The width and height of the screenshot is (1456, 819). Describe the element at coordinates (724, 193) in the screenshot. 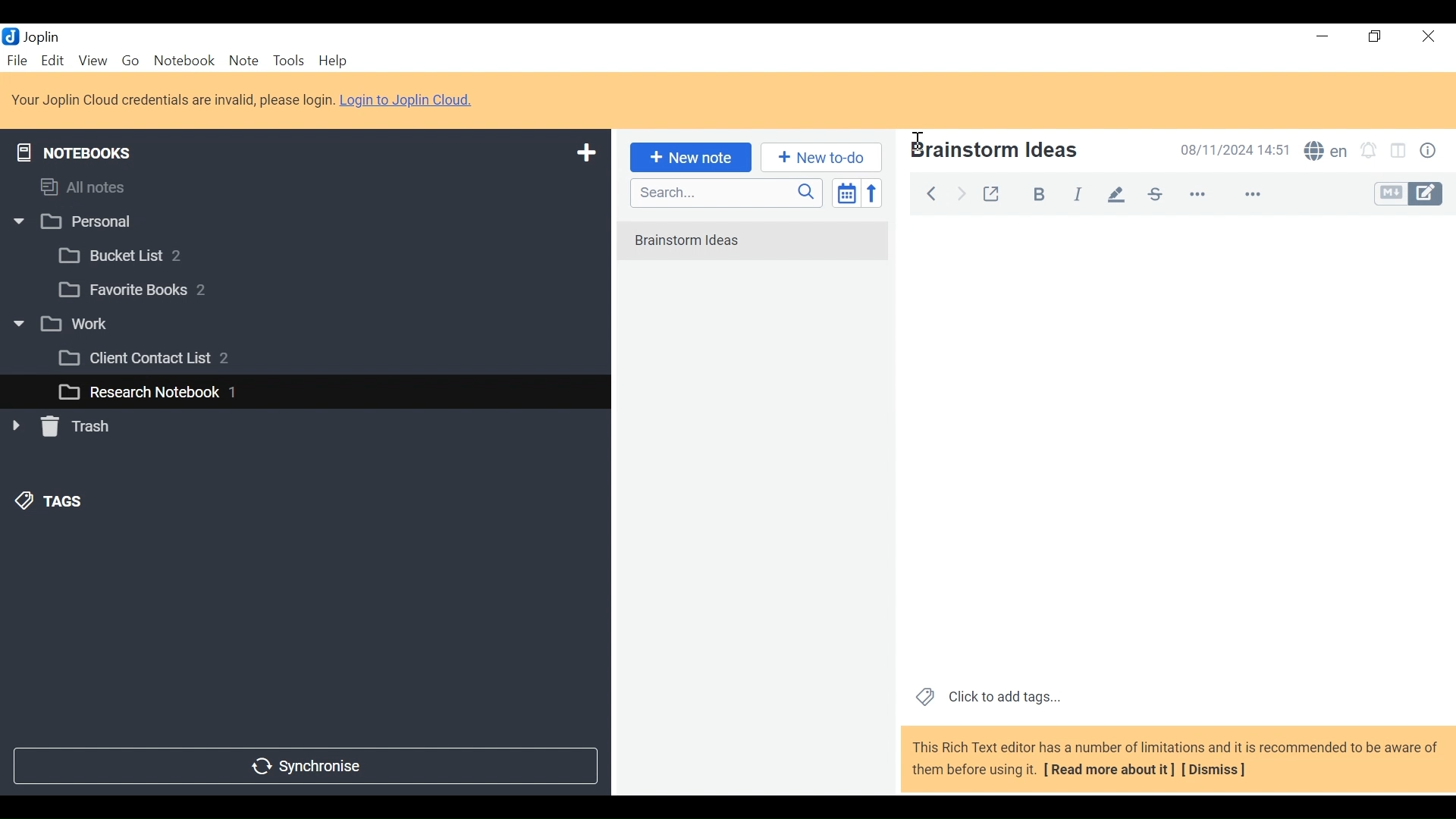

I see `Search` at that location.